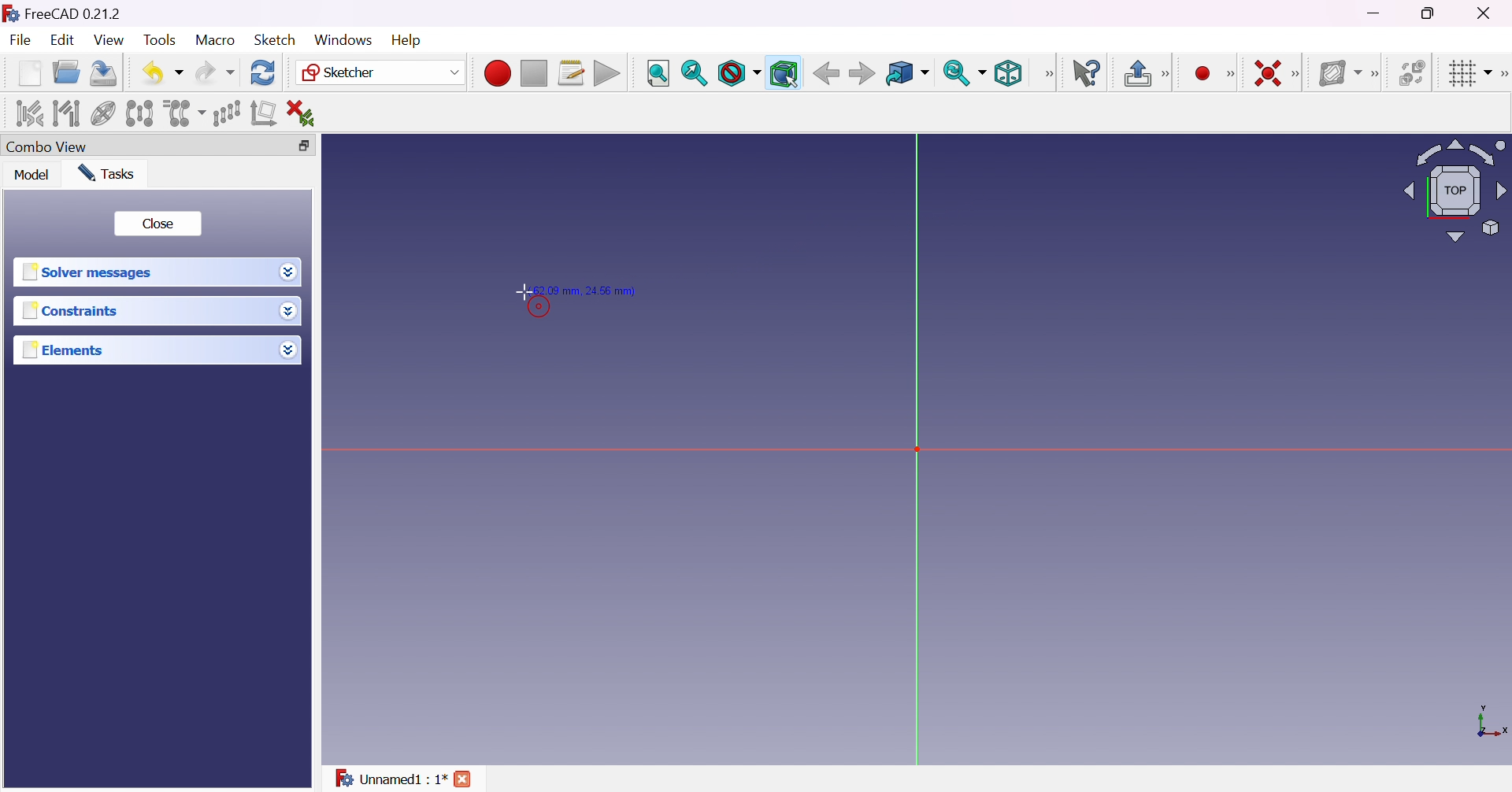 The image size is (1512, 792). Describe the element at coordinates (105, 115) in the screenshot. I see `Show/hide internal geometry` at that location.